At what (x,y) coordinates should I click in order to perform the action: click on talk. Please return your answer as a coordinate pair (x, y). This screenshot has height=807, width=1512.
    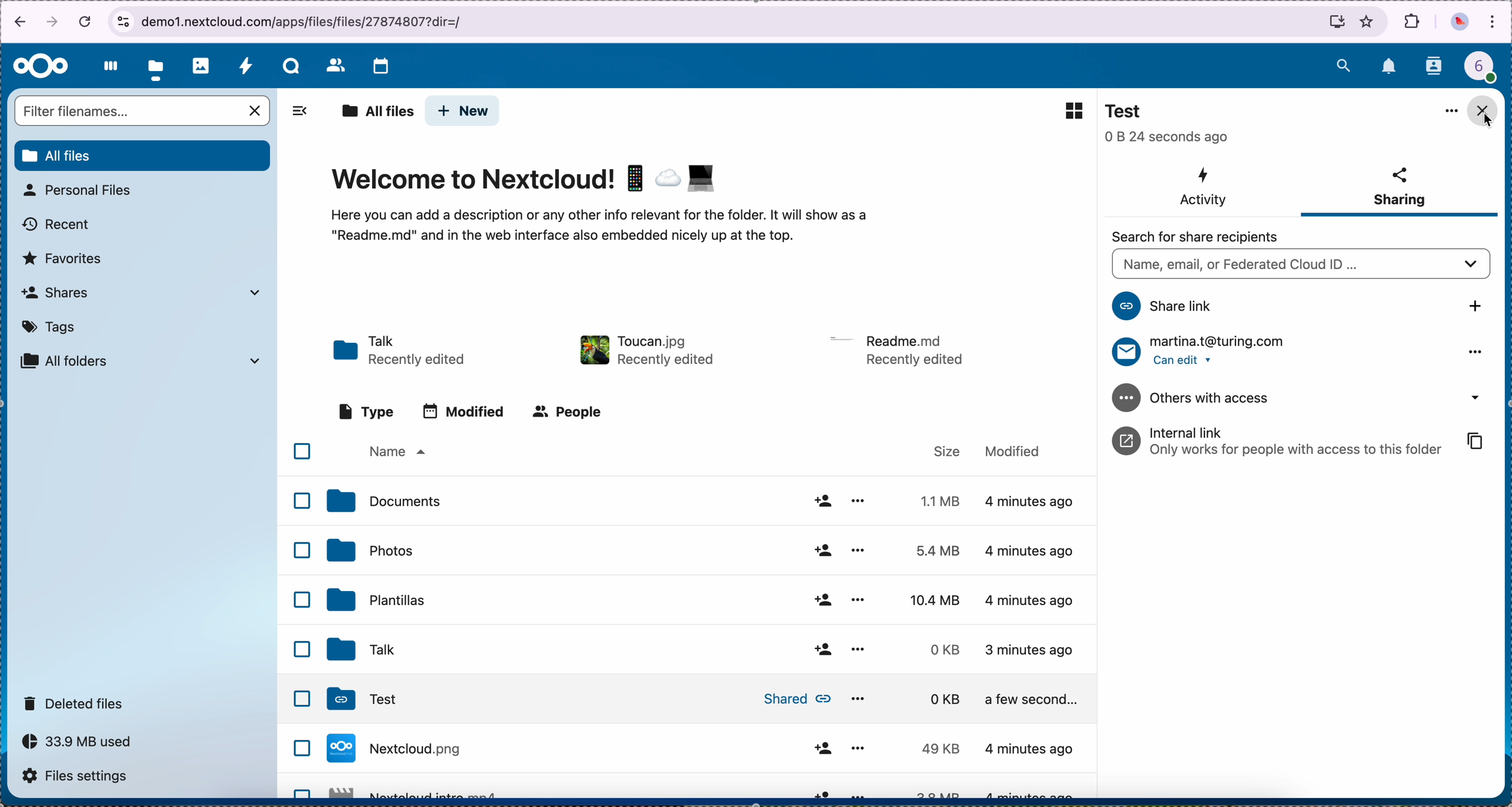
    Looking at the image, I should click on (291, 66).